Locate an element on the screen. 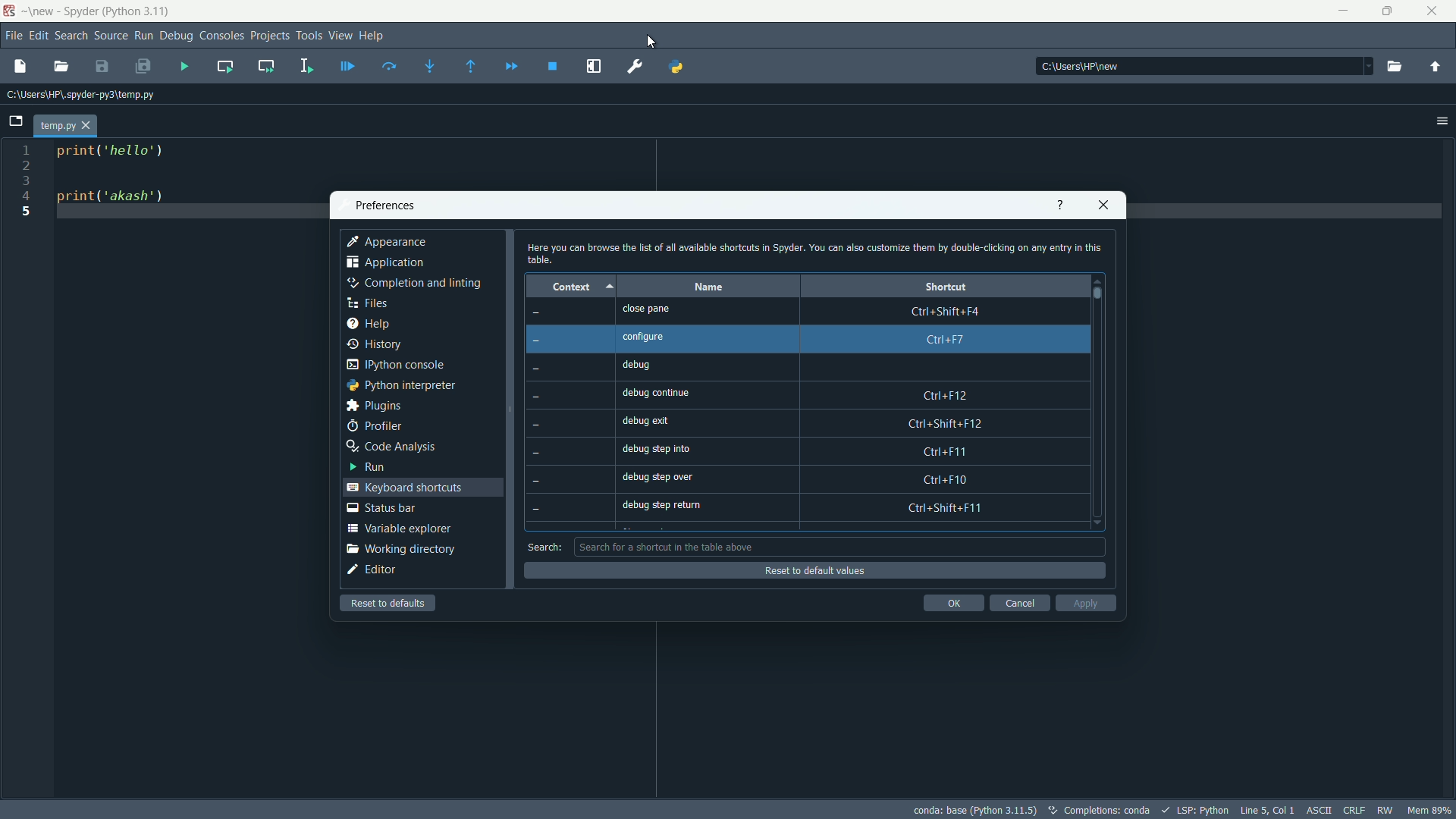 The image size is (1456, 819). memory usage is located at coordinates (1432, 810).